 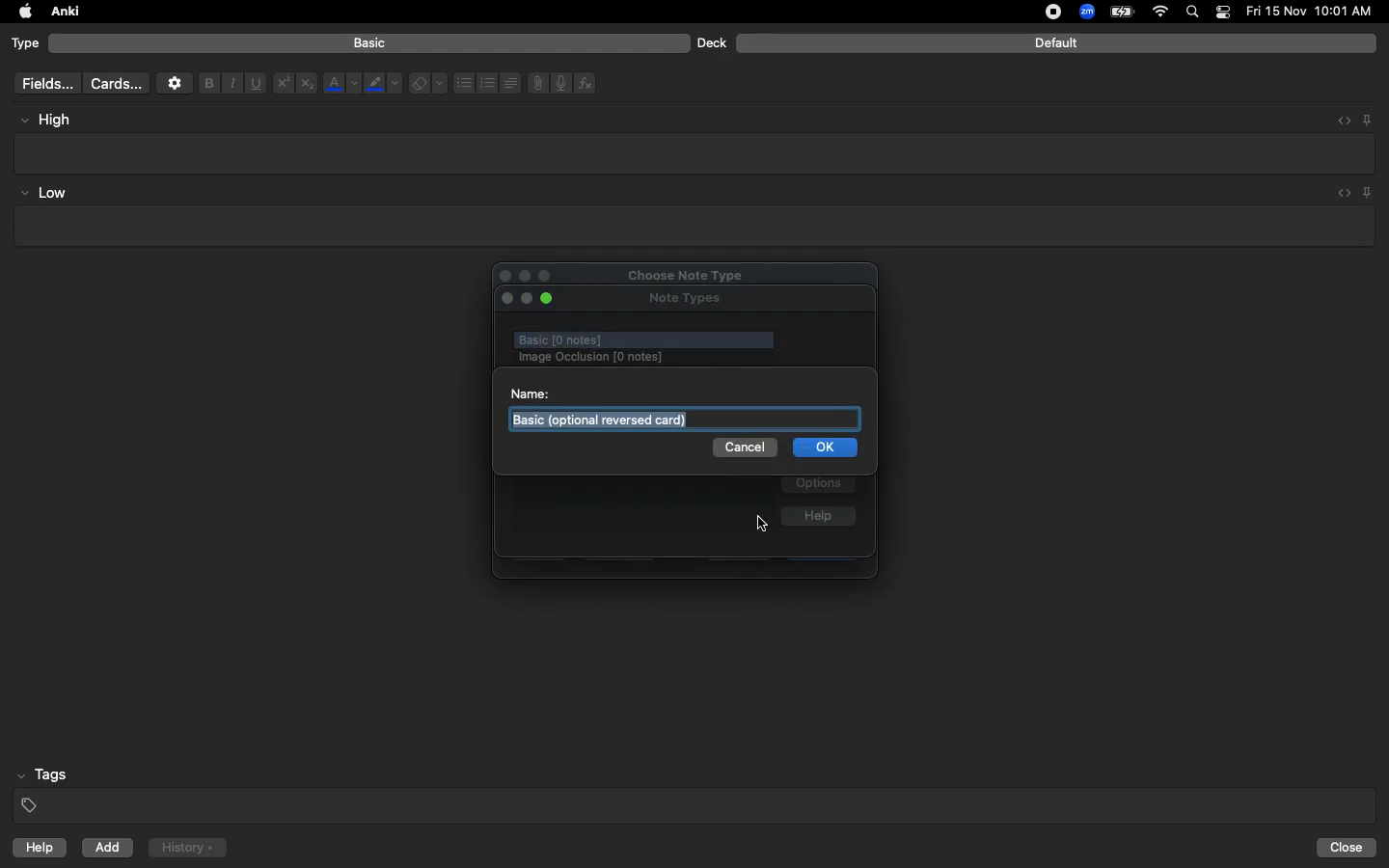 What do you see at coordinates (1369, 192) in the screenshot?
I see `Pin` at bounding box center [1369, 192].